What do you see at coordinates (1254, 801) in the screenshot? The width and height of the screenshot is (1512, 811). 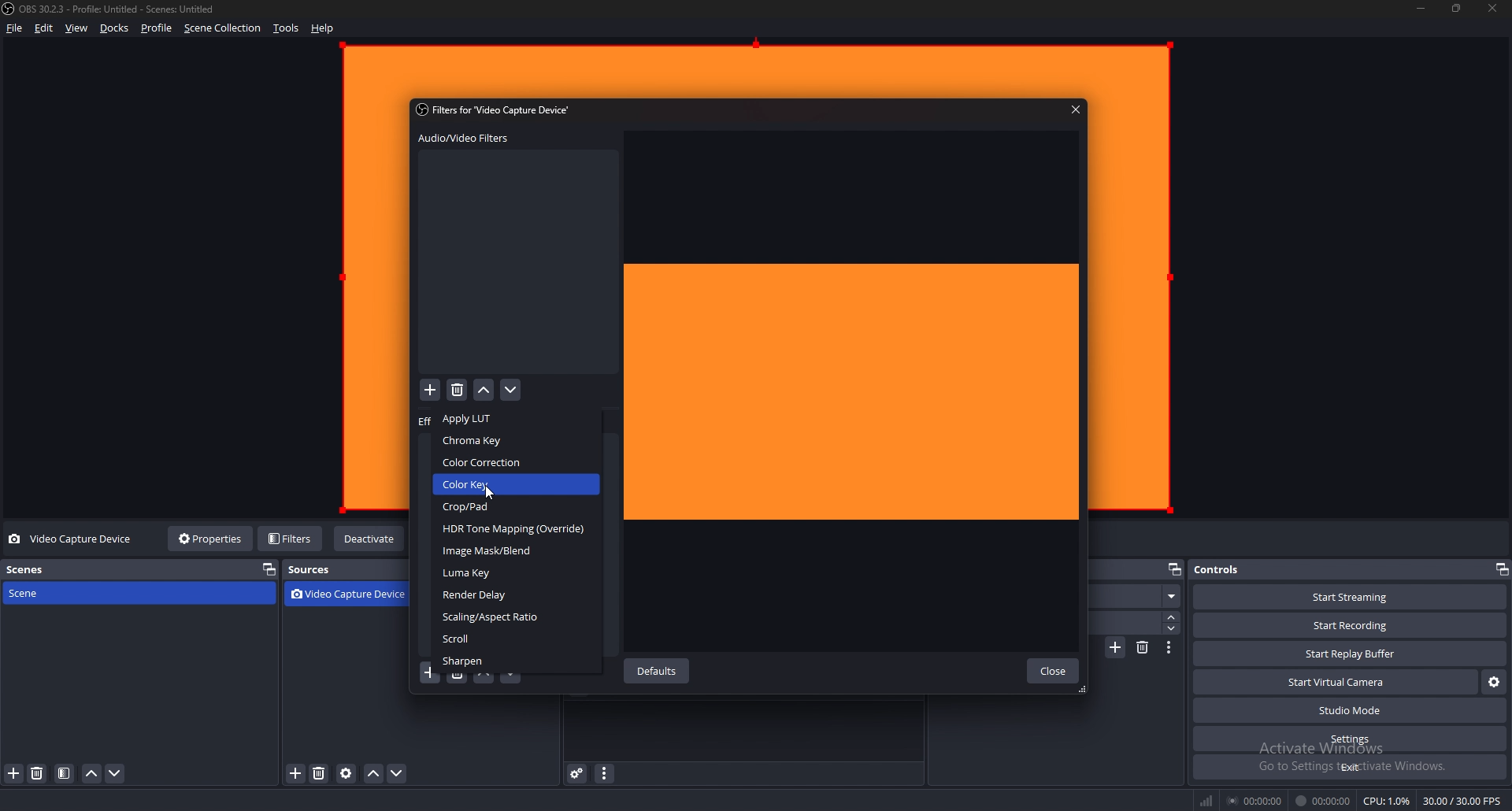 I see `00:00:00` at bounding box center [1254, 801].